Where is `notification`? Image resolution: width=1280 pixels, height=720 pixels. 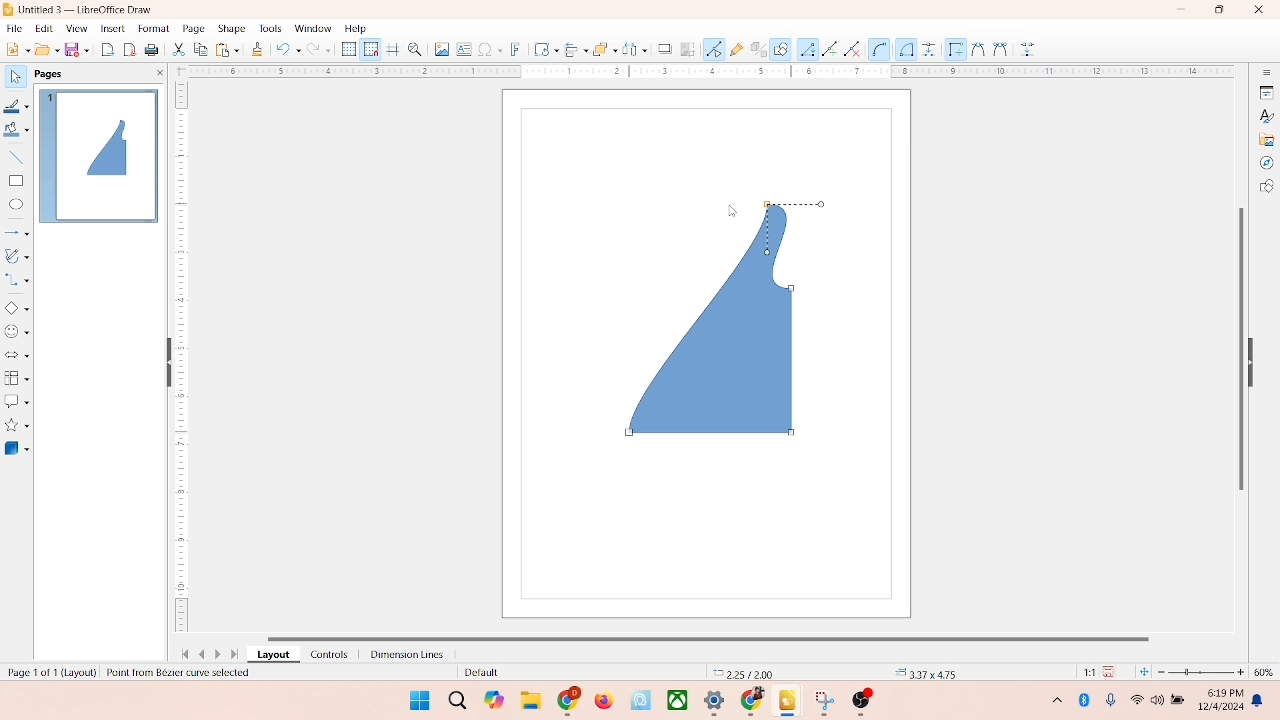 notification is located at coordinates (1261, 701).